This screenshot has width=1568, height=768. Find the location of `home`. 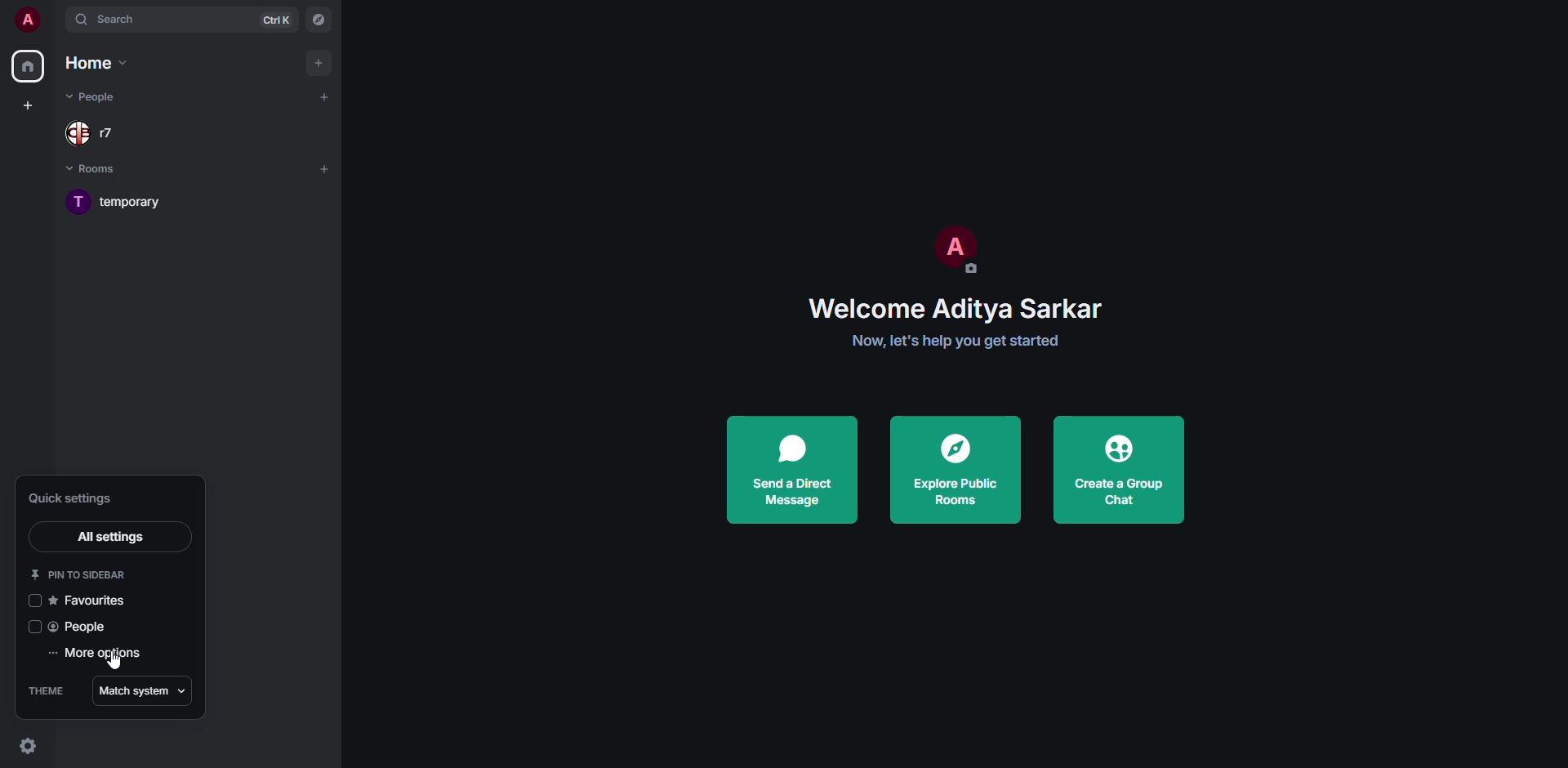

home is located at coordinates (104, 65).